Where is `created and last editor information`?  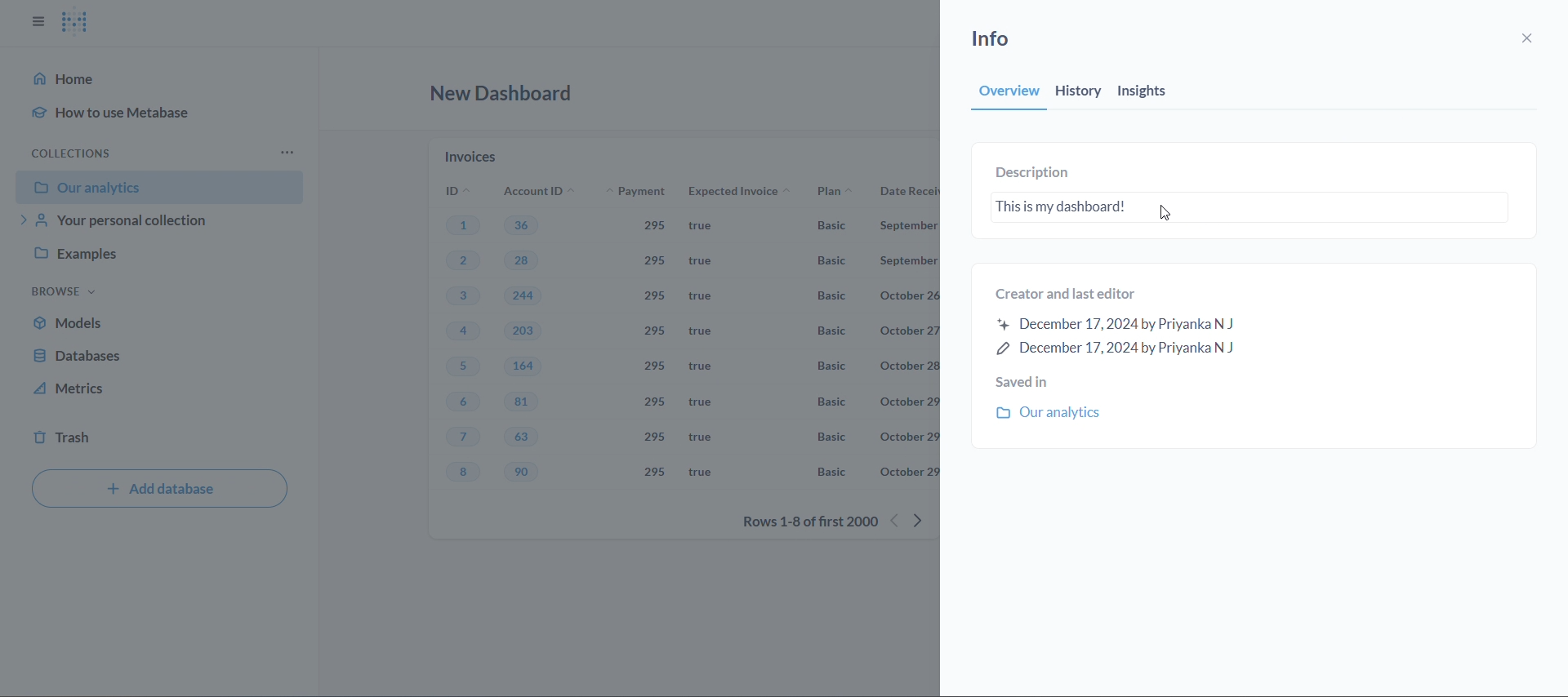 created and last editor information is located at coordinates (1134, 322).